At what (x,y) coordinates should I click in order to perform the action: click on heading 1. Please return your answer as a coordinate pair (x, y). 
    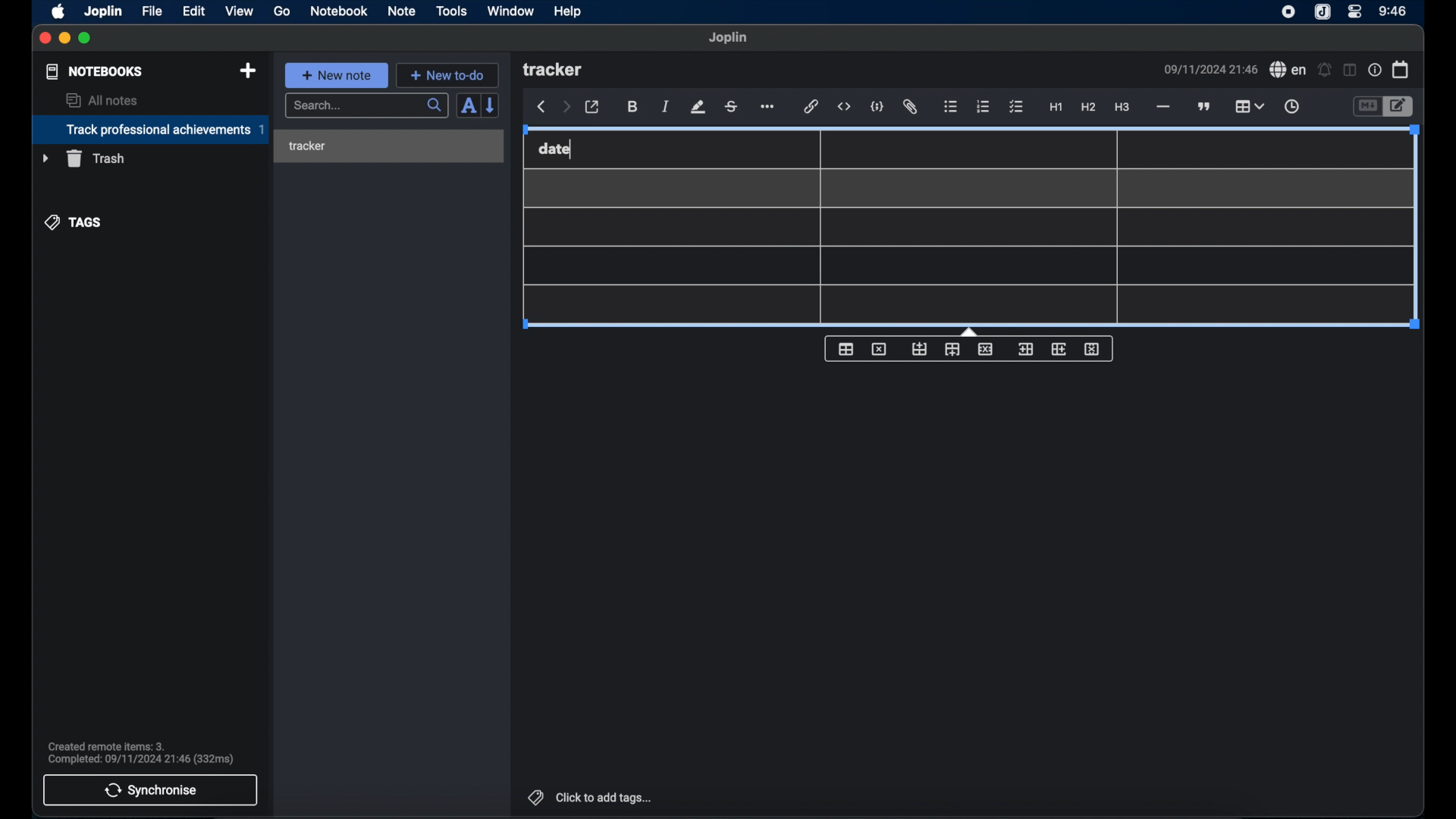
    Looking at the image, I should click on (1056, 108).